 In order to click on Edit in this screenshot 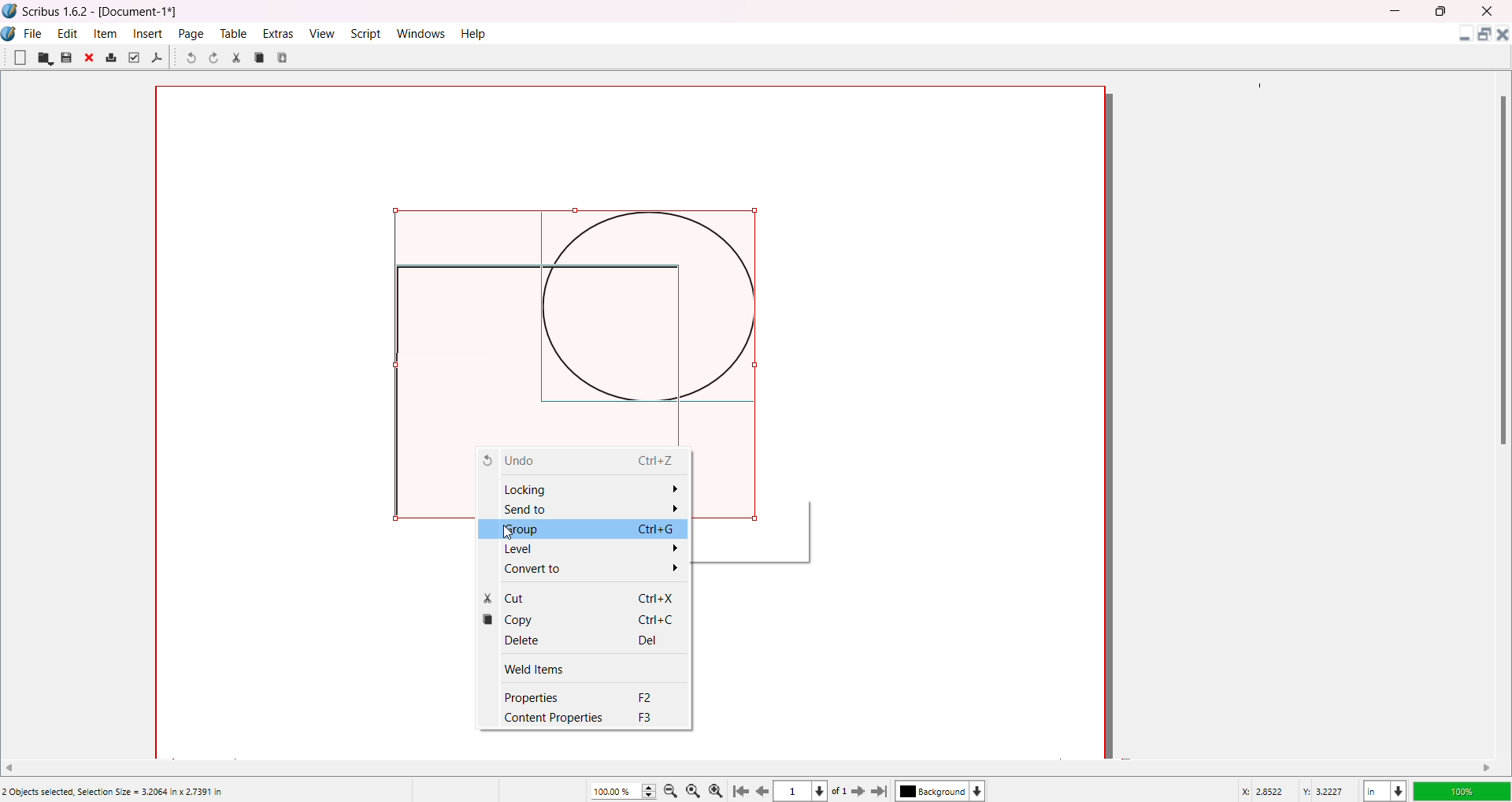, I will do `click(68, 32)`.